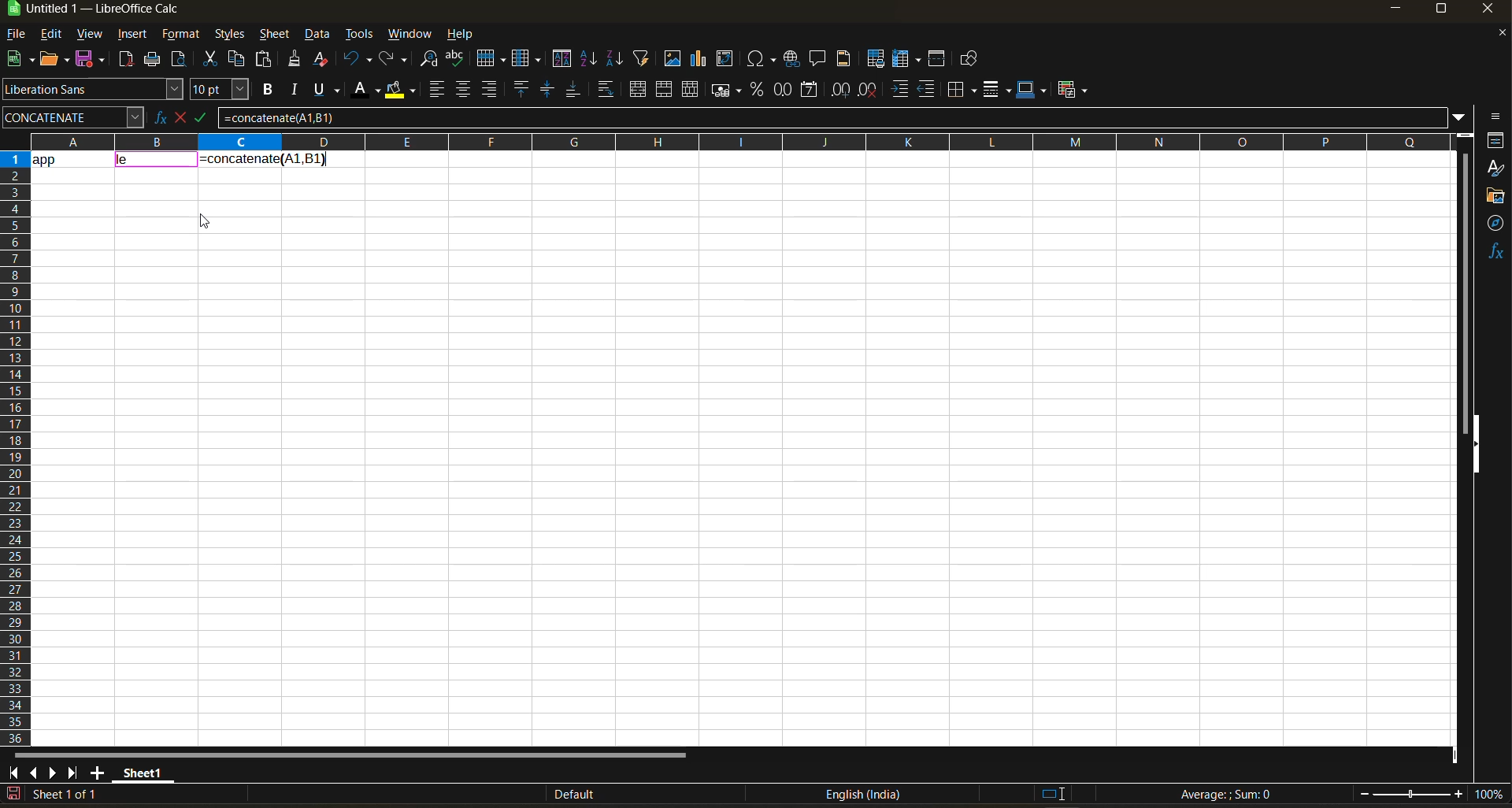 The width and height of the screenshot is (1512, 808). Describe the element at coordinates (840, 91) in the screenshot. I see `add decimal place` at that location.